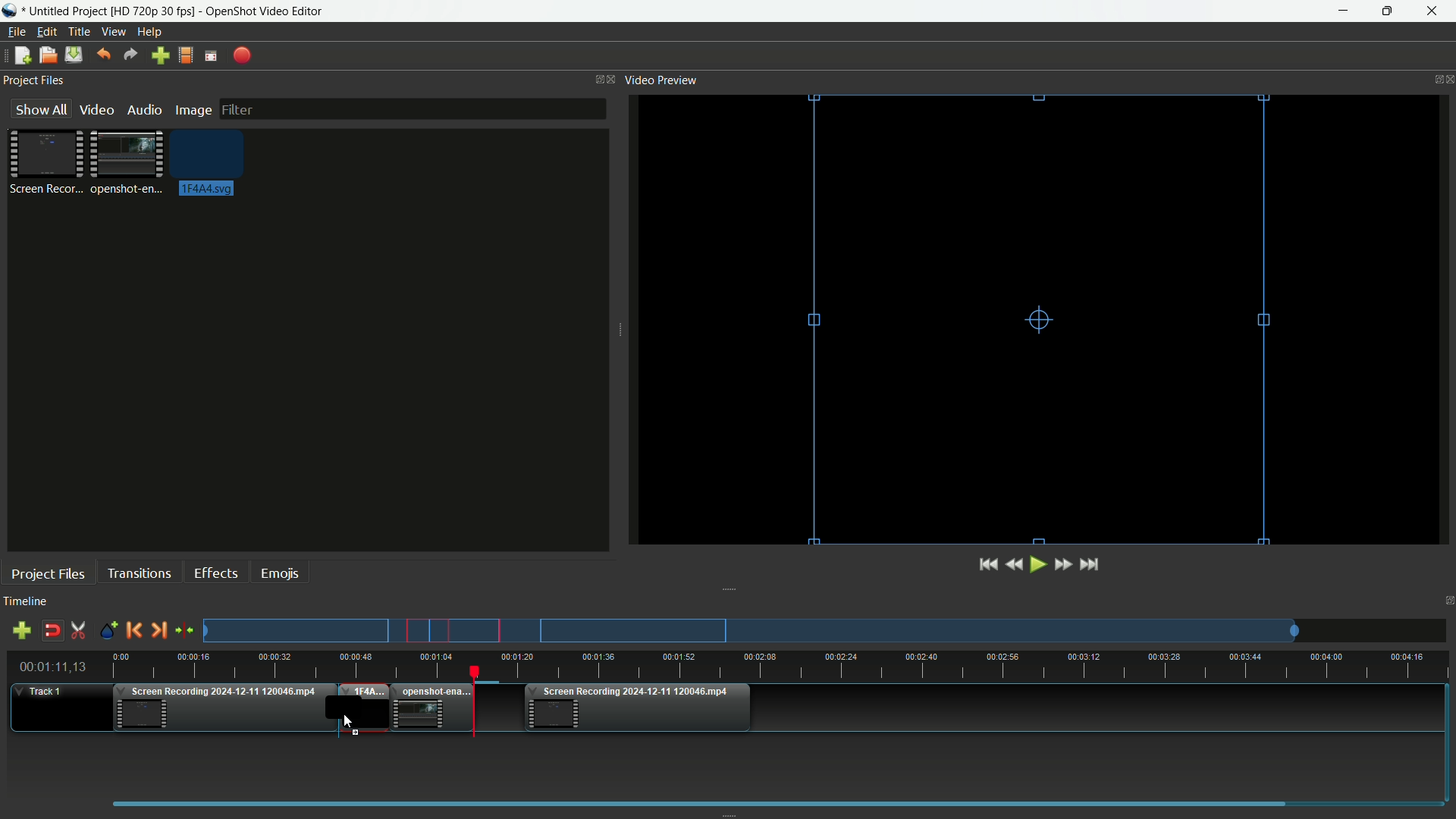 The image size is (1456, 819). I want to click on close app, so click(1432, 11).